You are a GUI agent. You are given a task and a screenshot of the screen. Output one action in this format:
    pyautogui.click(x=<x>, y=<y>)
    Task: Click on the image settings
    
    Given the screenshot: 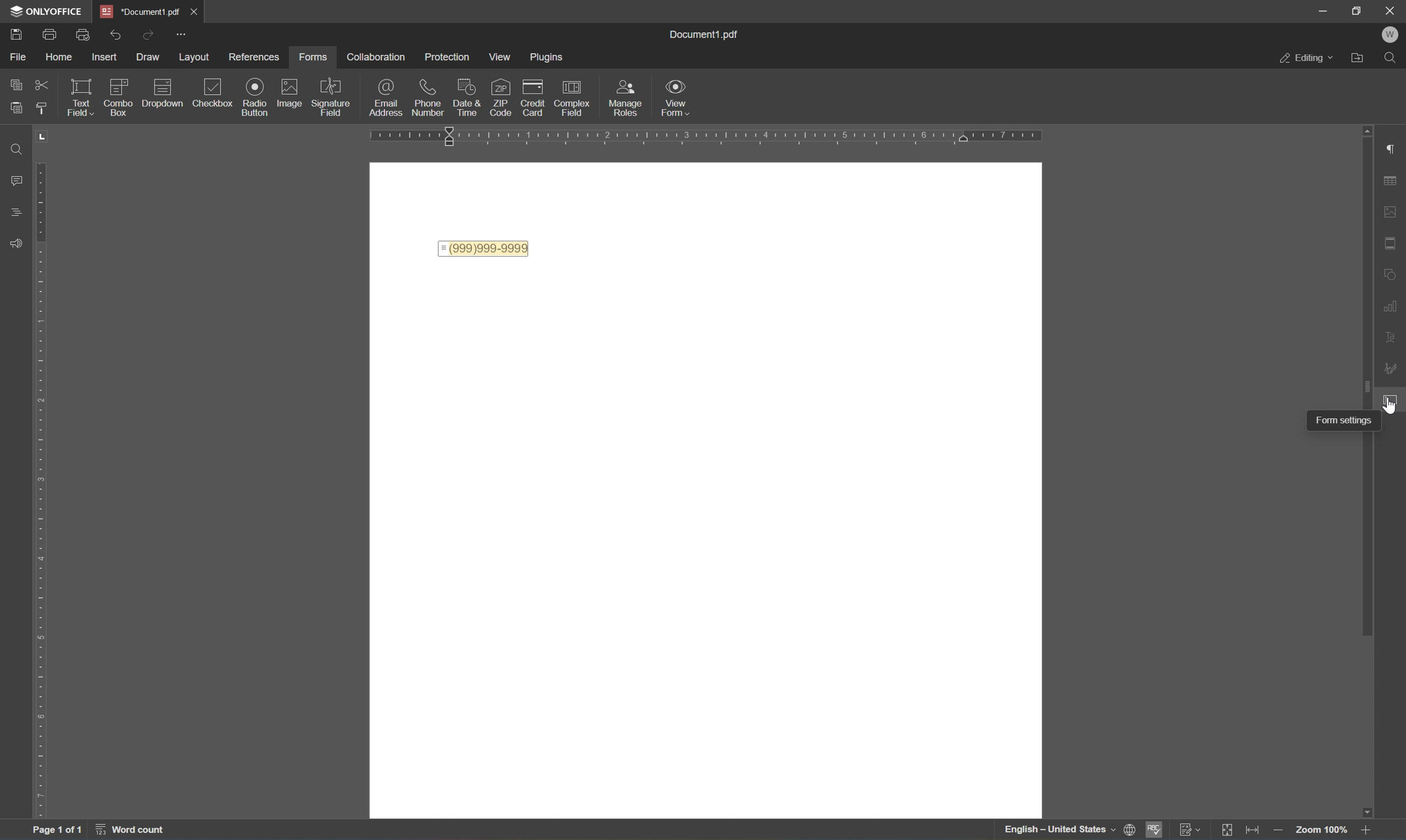 What is the action you would take?
    pyautogui.click(x=1390, y=209)
    